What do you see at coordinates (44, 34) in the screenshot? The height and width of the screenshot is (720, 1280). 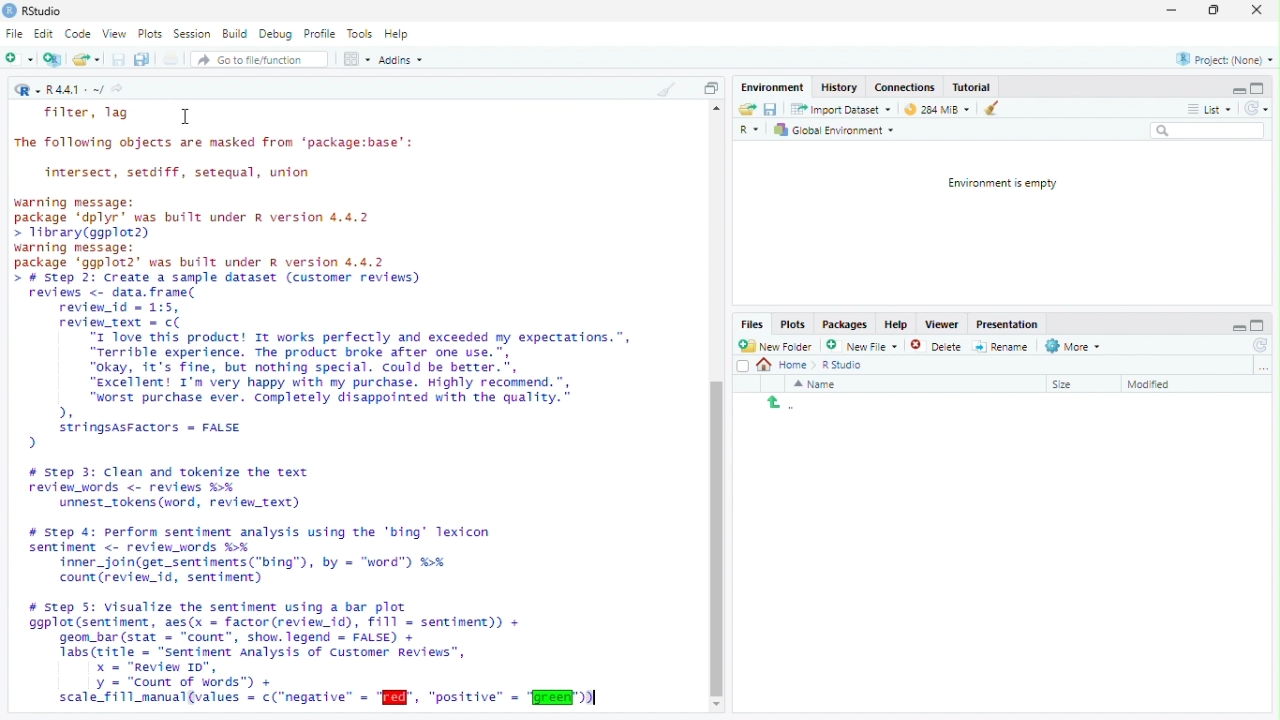 I see `Edit` at bounding box center [44, 34].